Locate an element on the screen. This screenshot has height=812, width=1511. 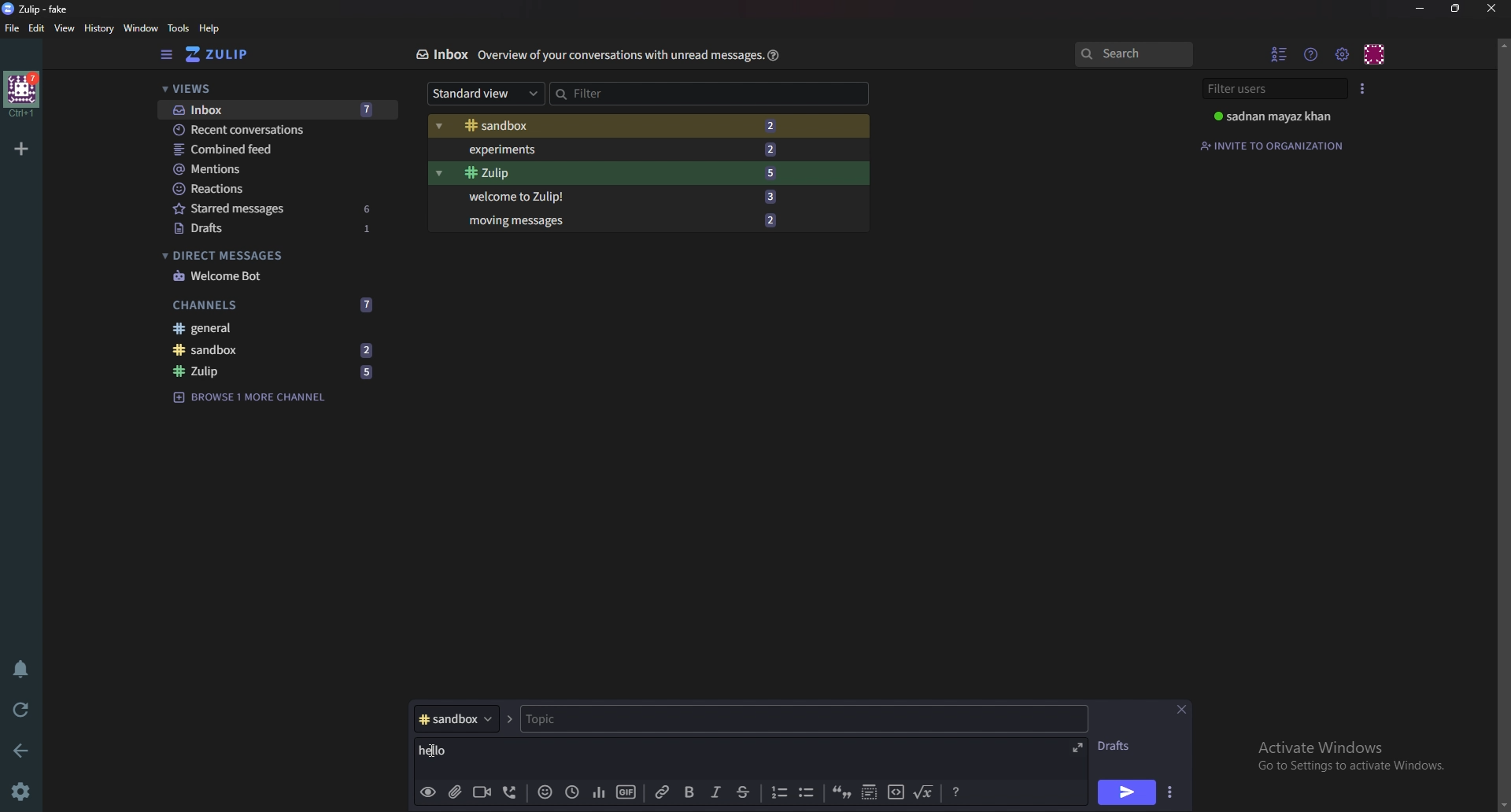
poll is located at coordinates (601, 792).